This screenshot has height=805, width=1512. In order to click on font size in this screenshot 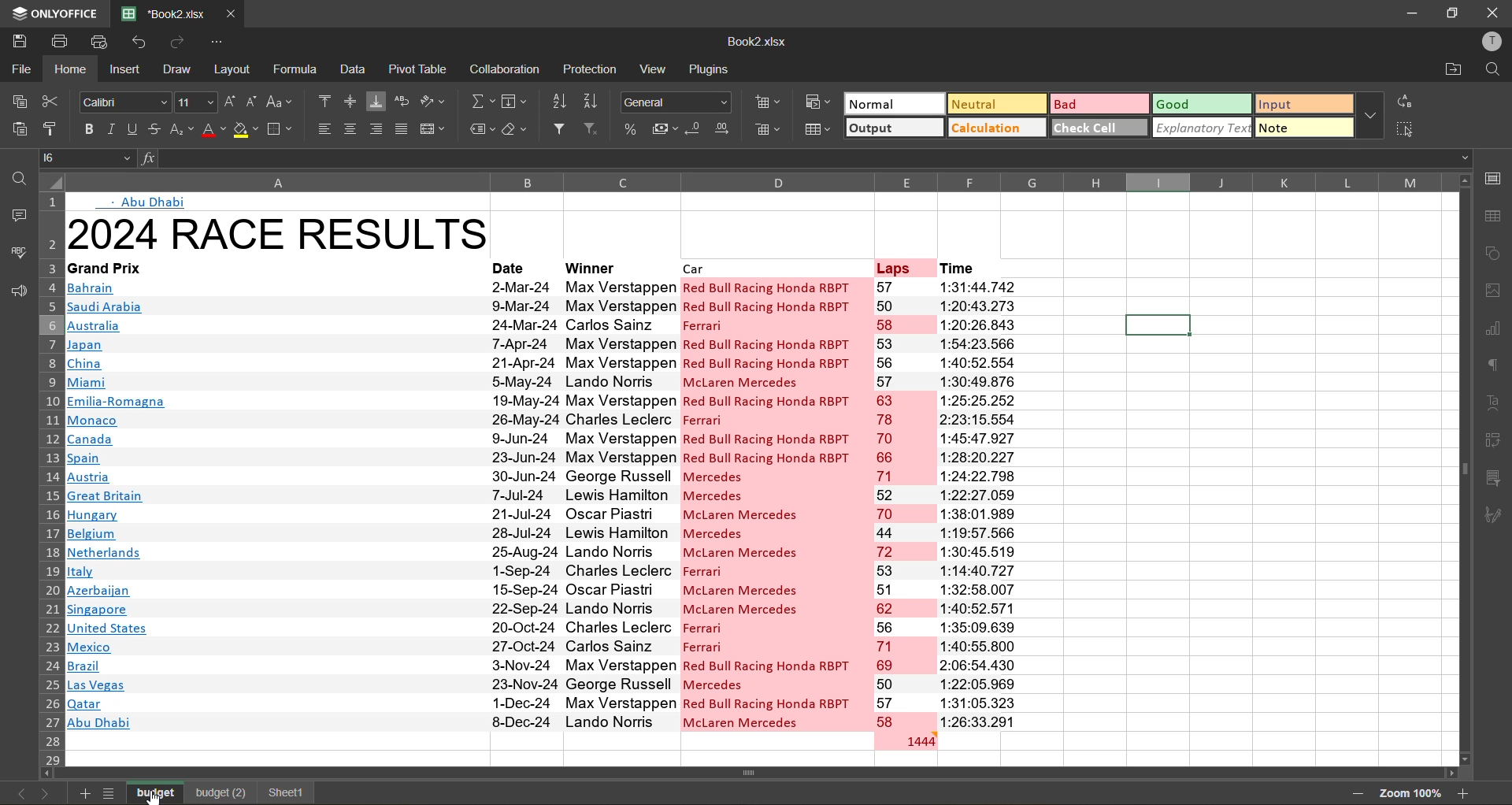, I will do `click(193, 103)`.